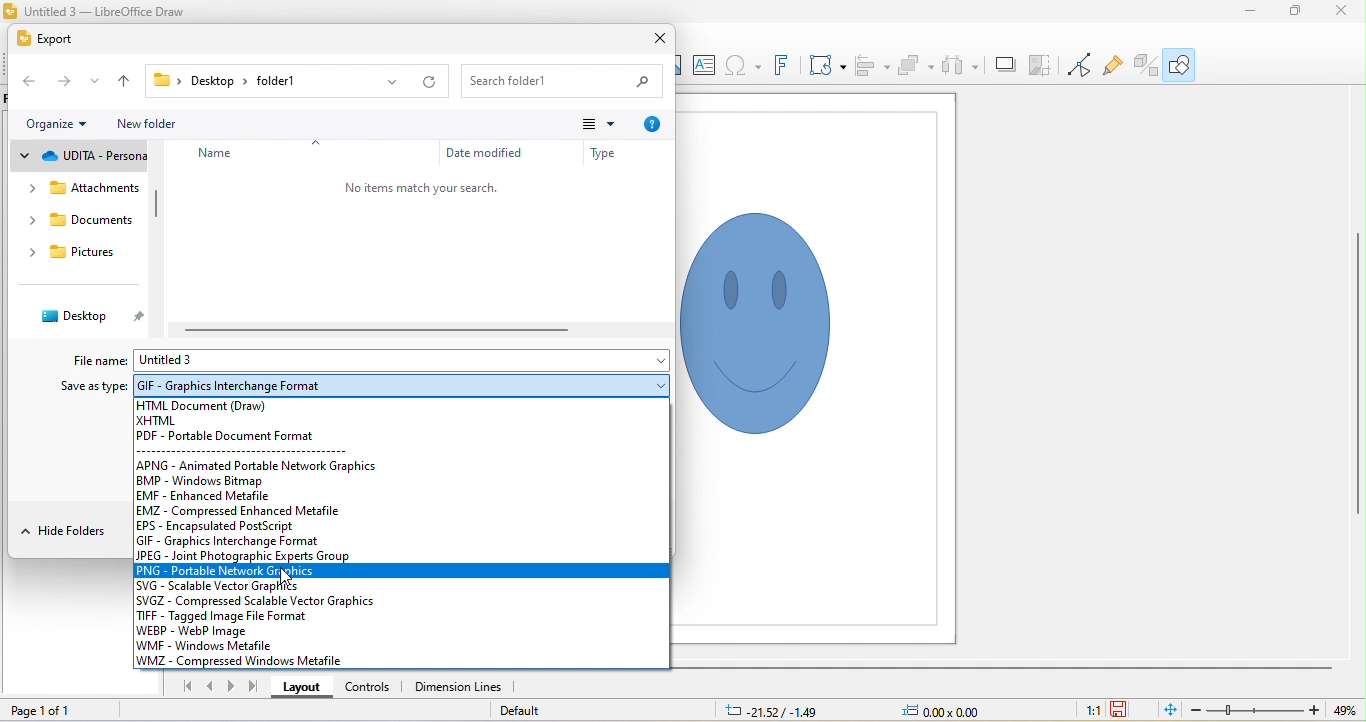  I want to click on pin, so click(142, 319).